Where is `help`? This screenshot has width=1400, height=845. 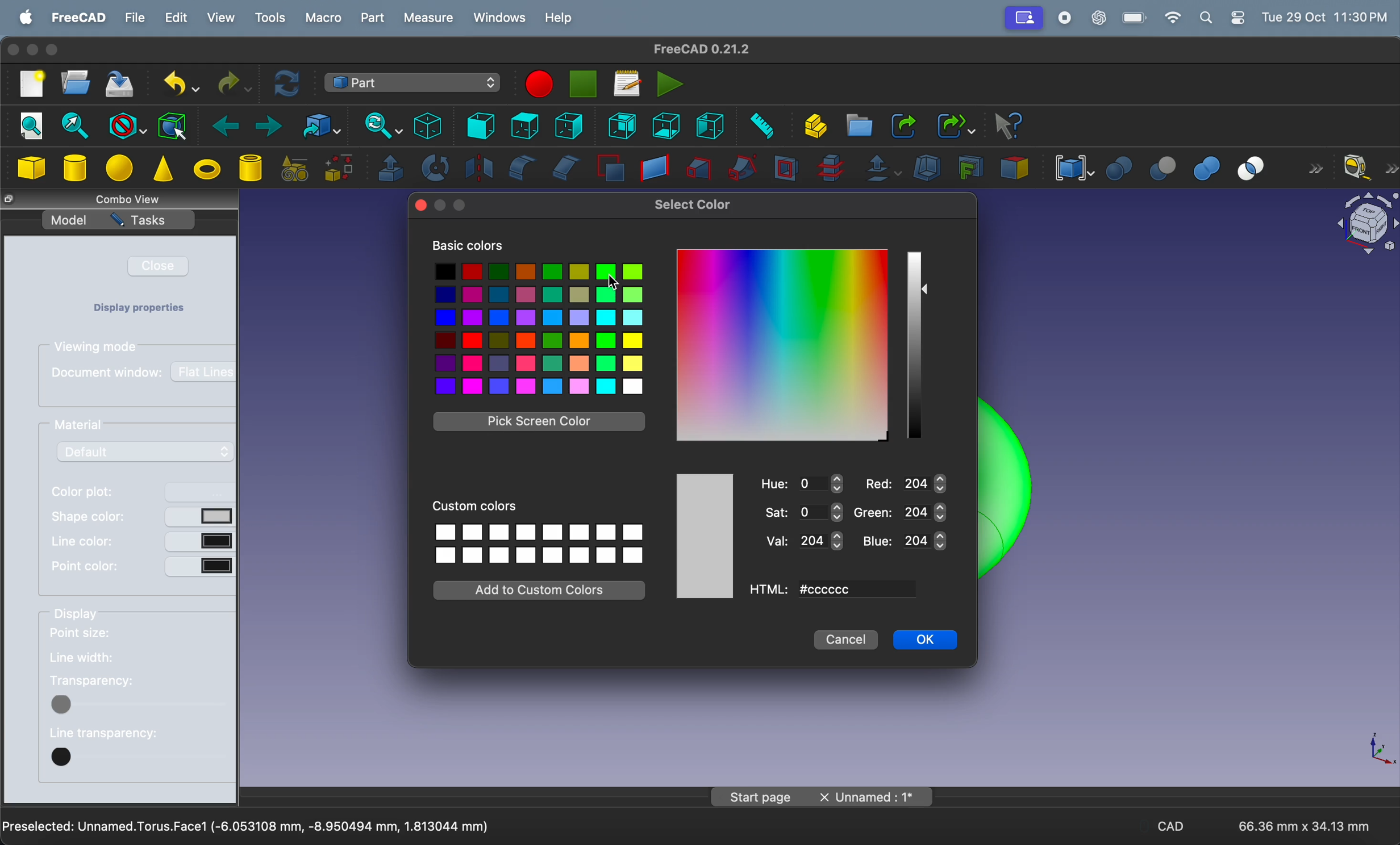
help is located at coordinates (560, 18).